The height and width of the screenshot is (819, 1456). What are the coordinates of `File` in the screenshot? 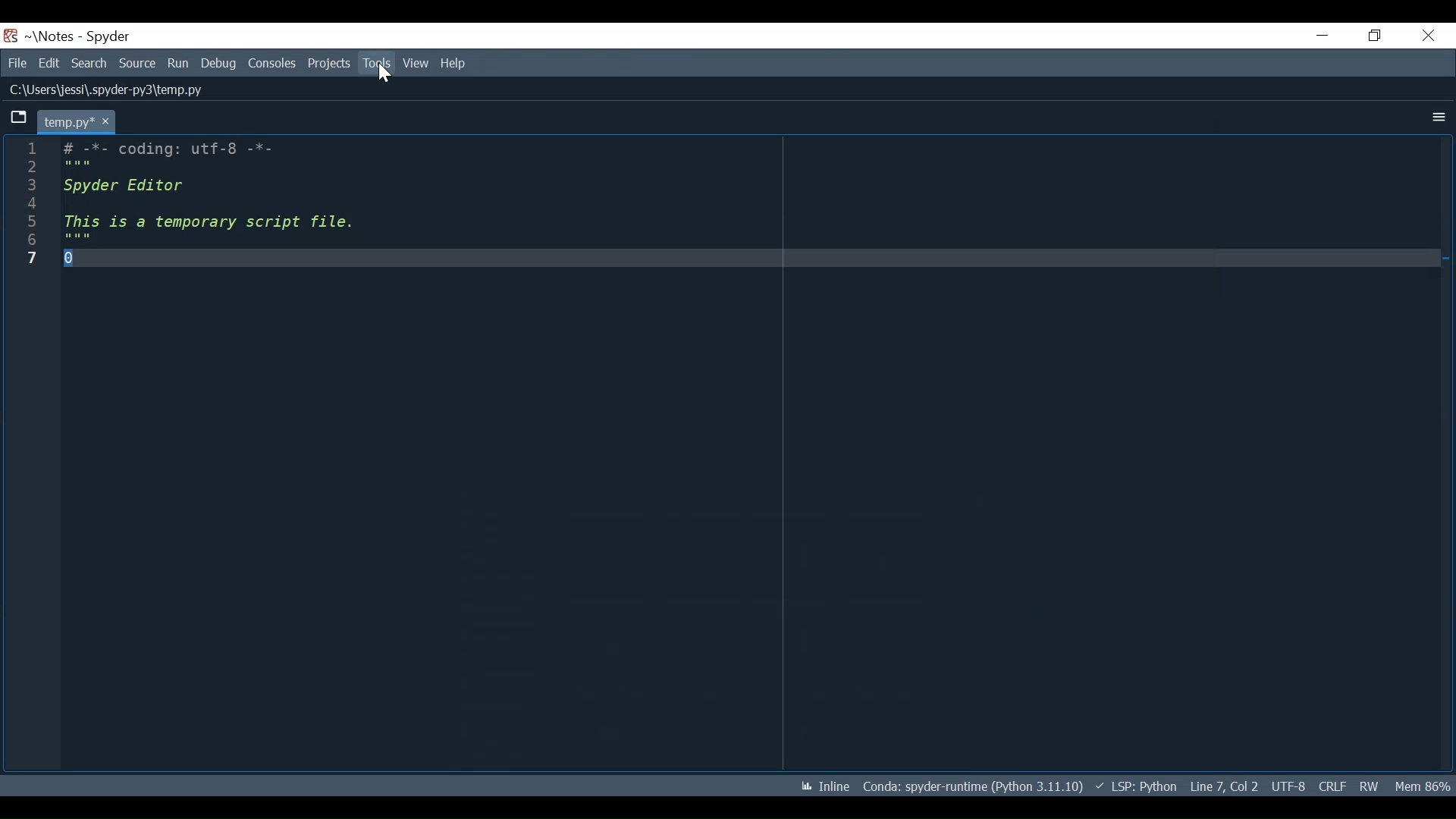 It's located at (15, 63).